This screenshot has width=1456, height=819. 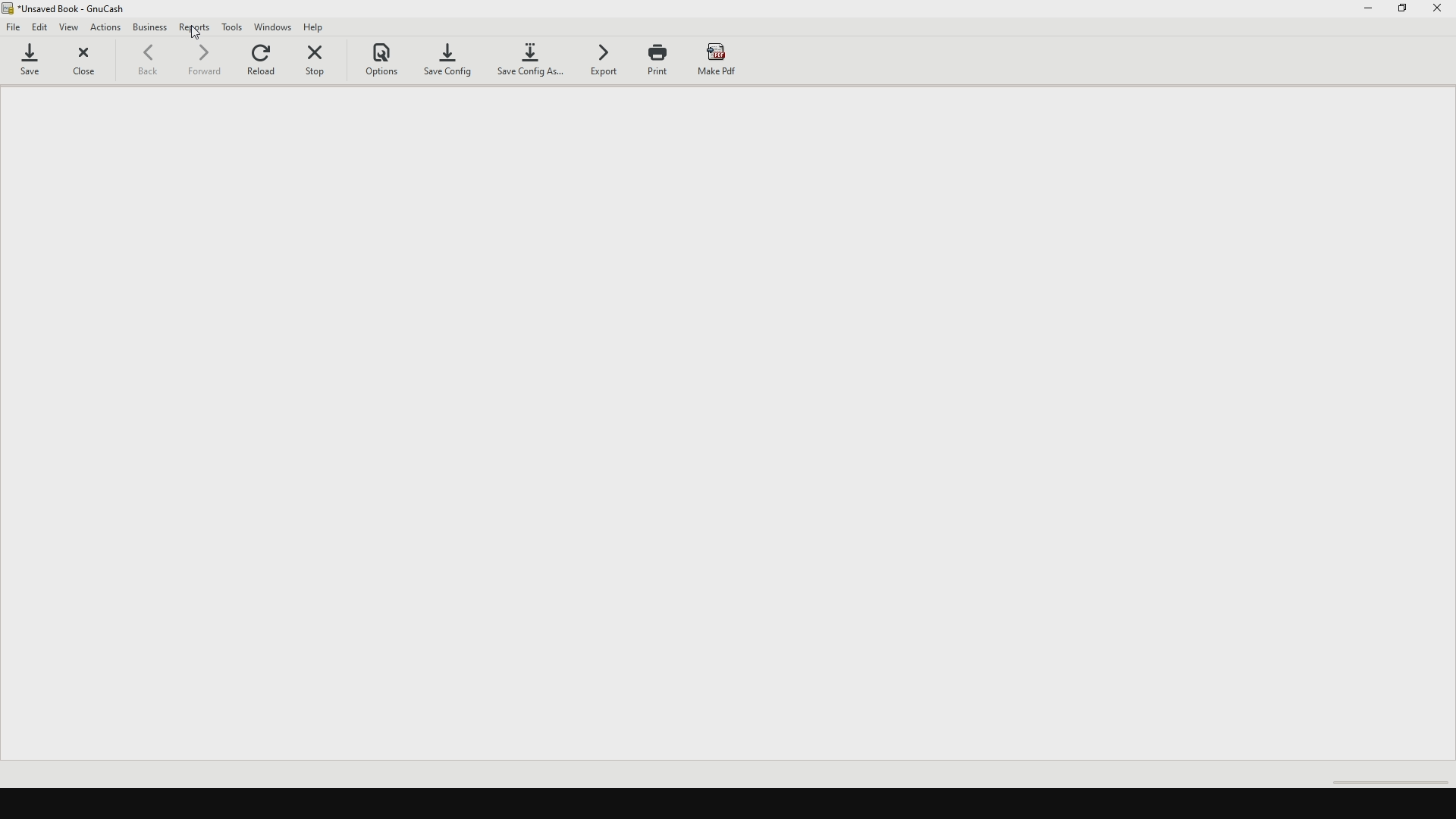 I want to click on tools, so click(x=234, y=27).